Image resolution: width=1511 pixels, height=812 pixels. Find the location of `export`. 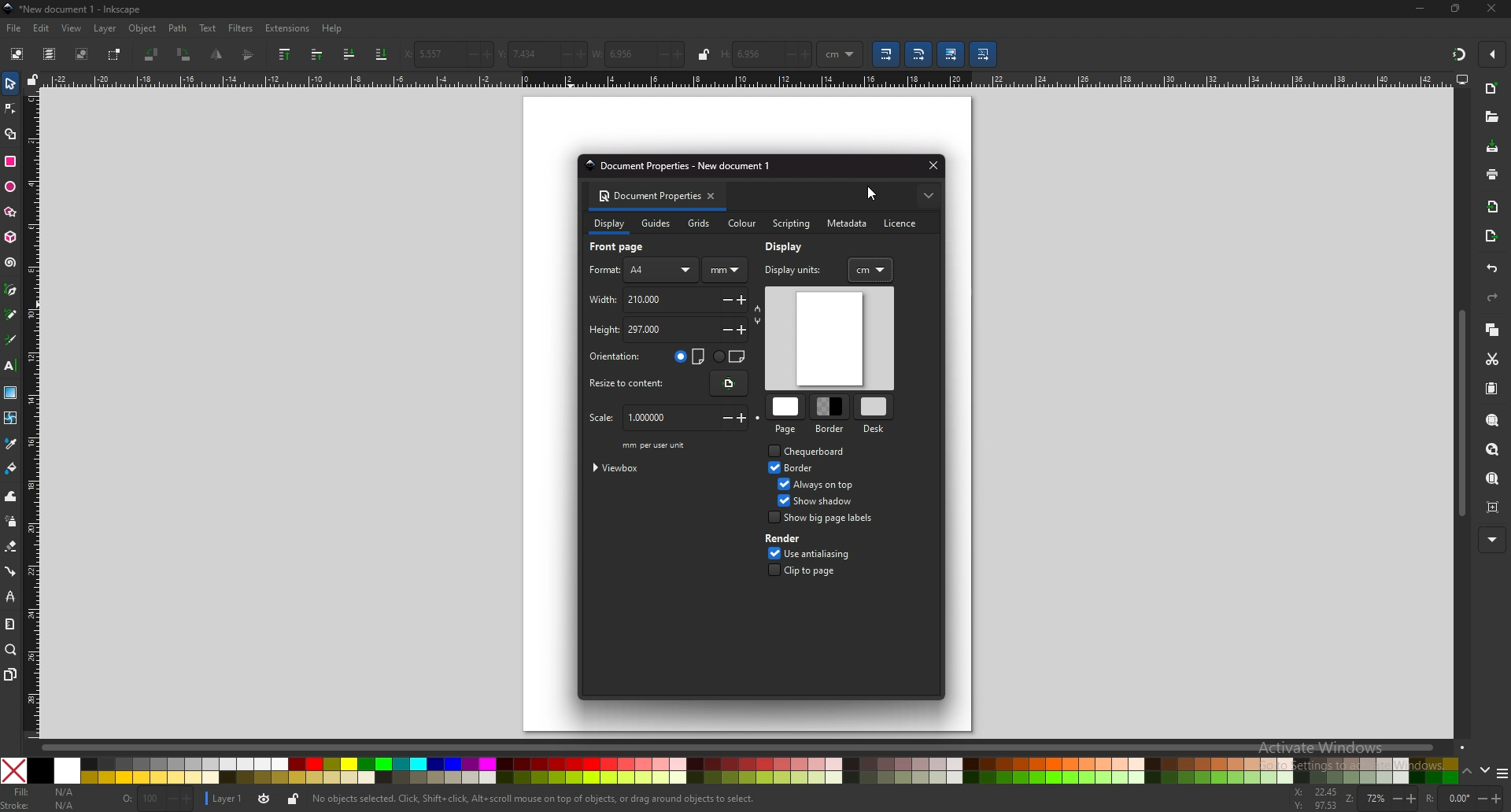

export is located at coordinates (1491, 236).